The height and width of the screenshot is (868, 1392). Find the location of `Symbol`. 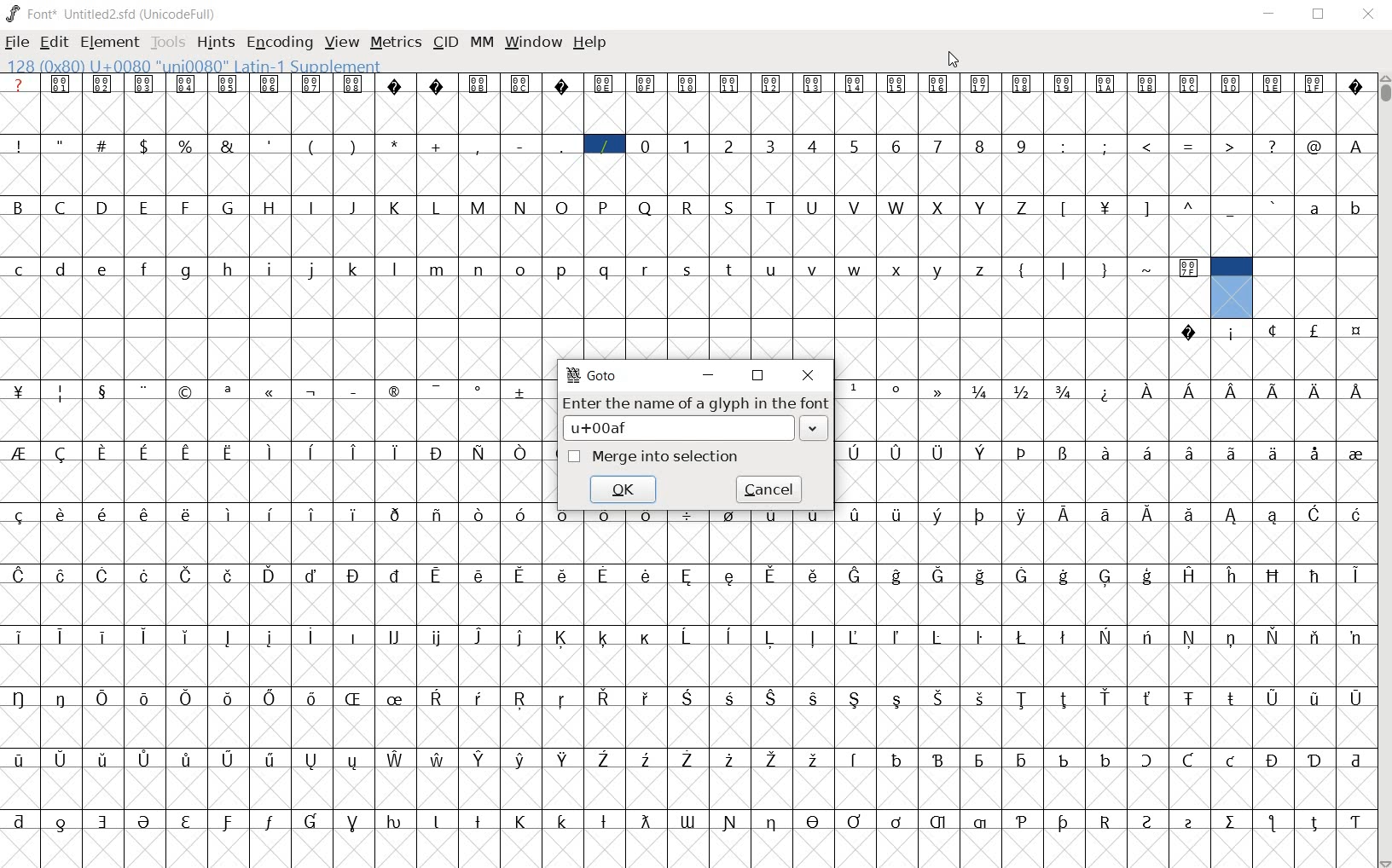

Symbol is located at coordinates (520, 636).